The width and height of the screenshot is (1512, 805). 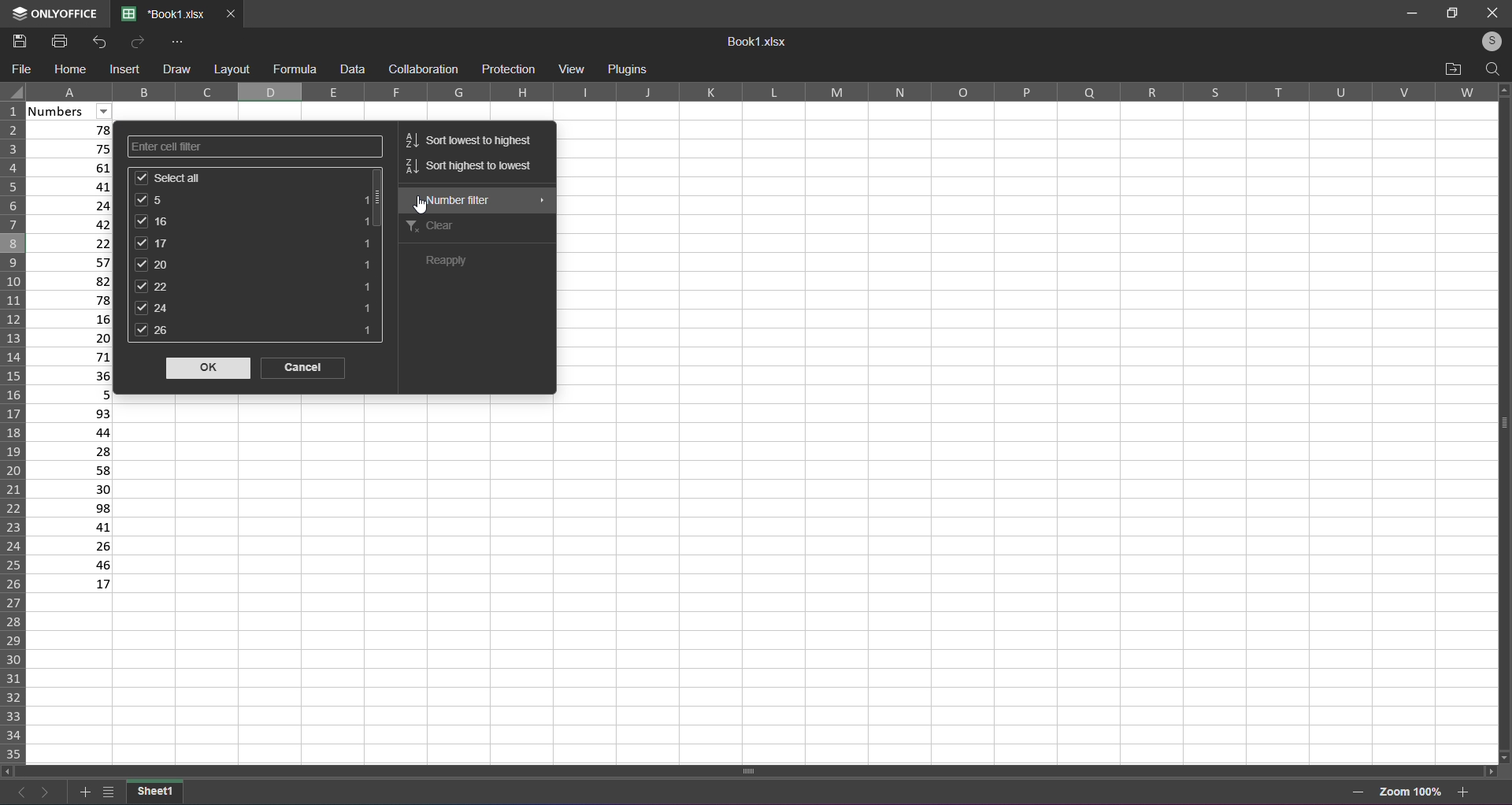 I want to click on number filters, so click(x=476, y=200).